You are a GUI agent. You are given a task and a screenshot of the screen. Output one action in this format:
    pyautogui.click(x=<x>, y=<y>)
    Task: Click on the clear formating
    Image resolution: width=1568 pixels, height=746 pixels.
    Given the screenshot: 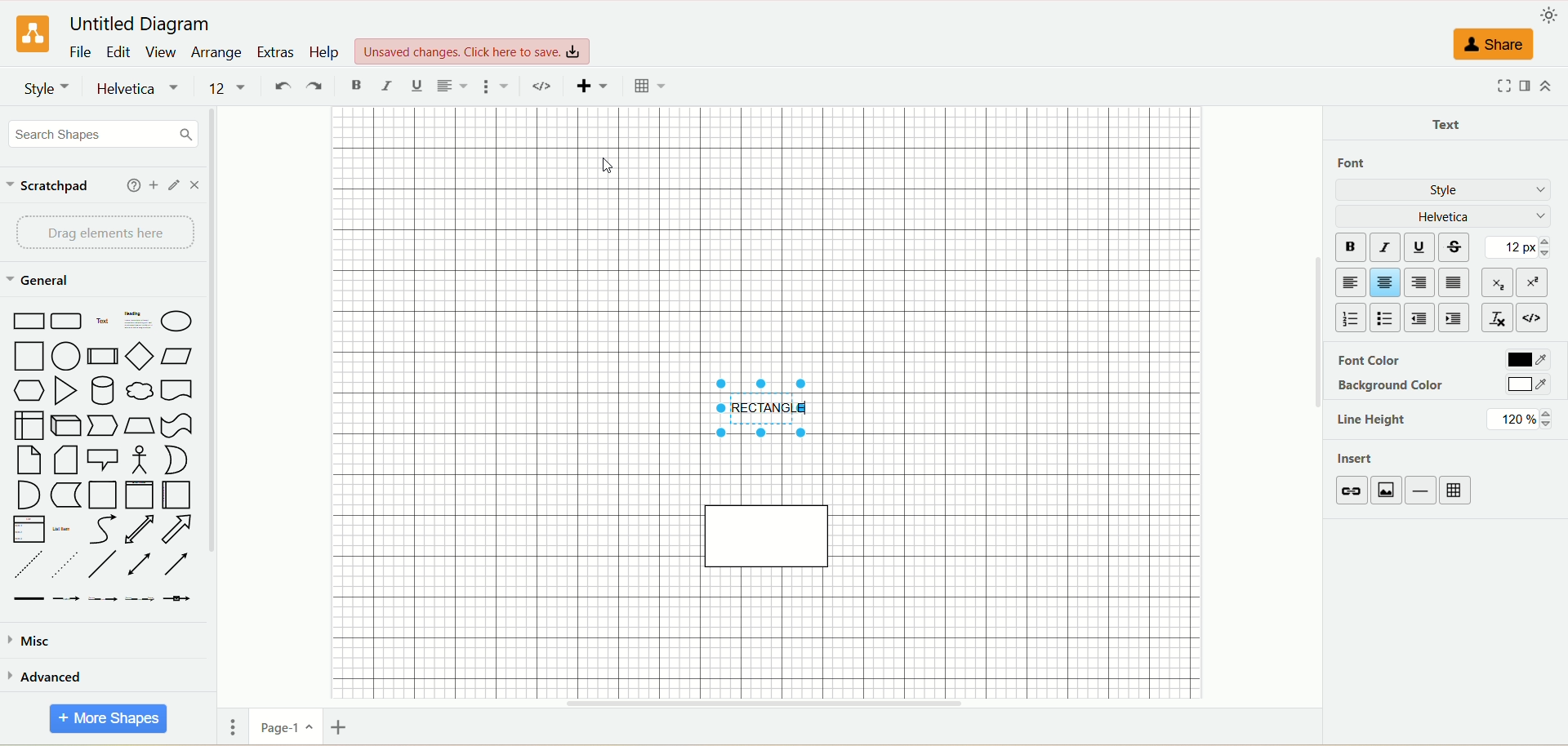 What is the action you would take?
    pyautogui.click(x=1496, y=317)
    